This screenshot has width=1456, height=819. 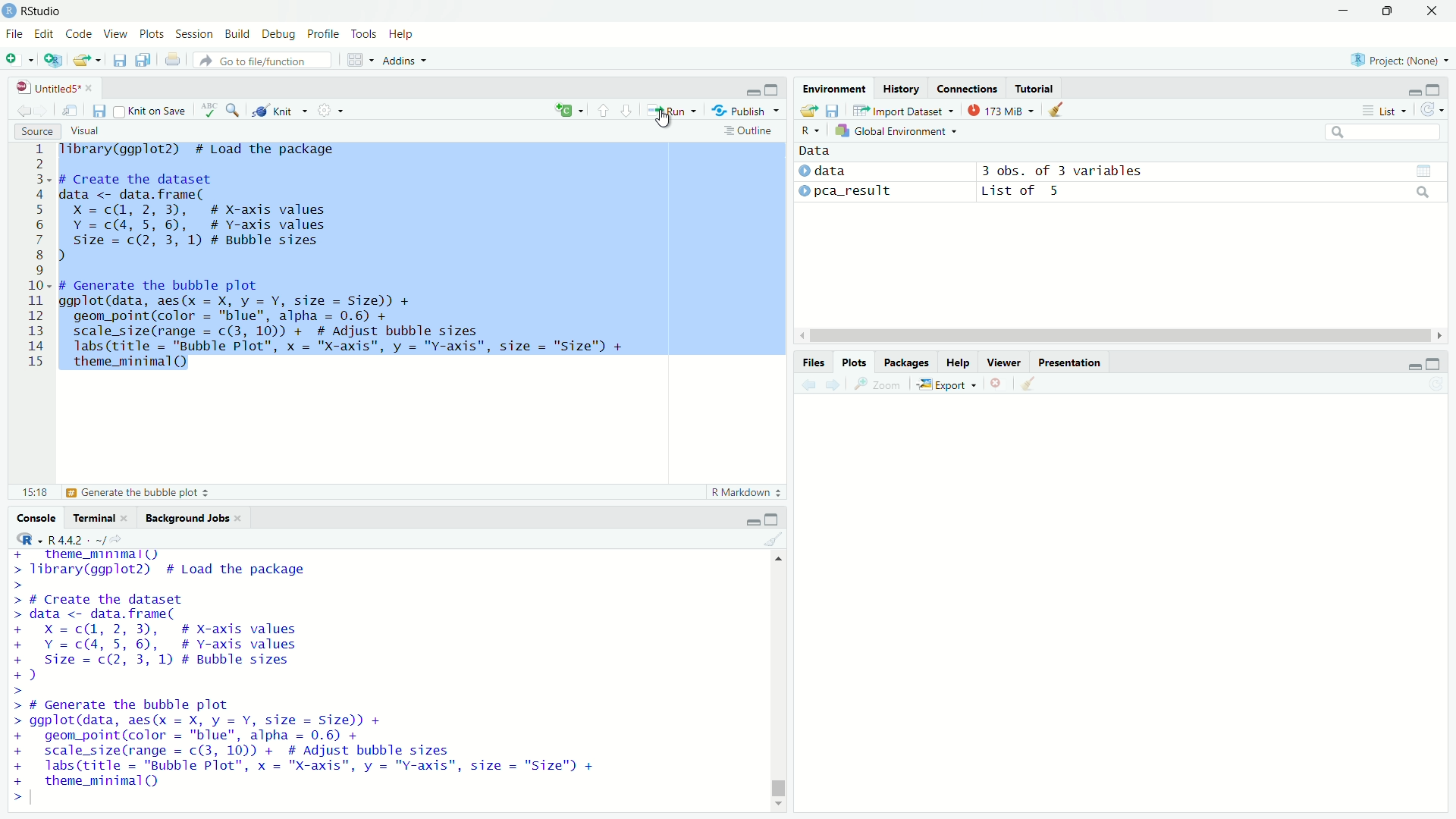 What do you see at coordinates (281, 109) in the screenshot?
I see `knit` at bounding box center [281, 109].